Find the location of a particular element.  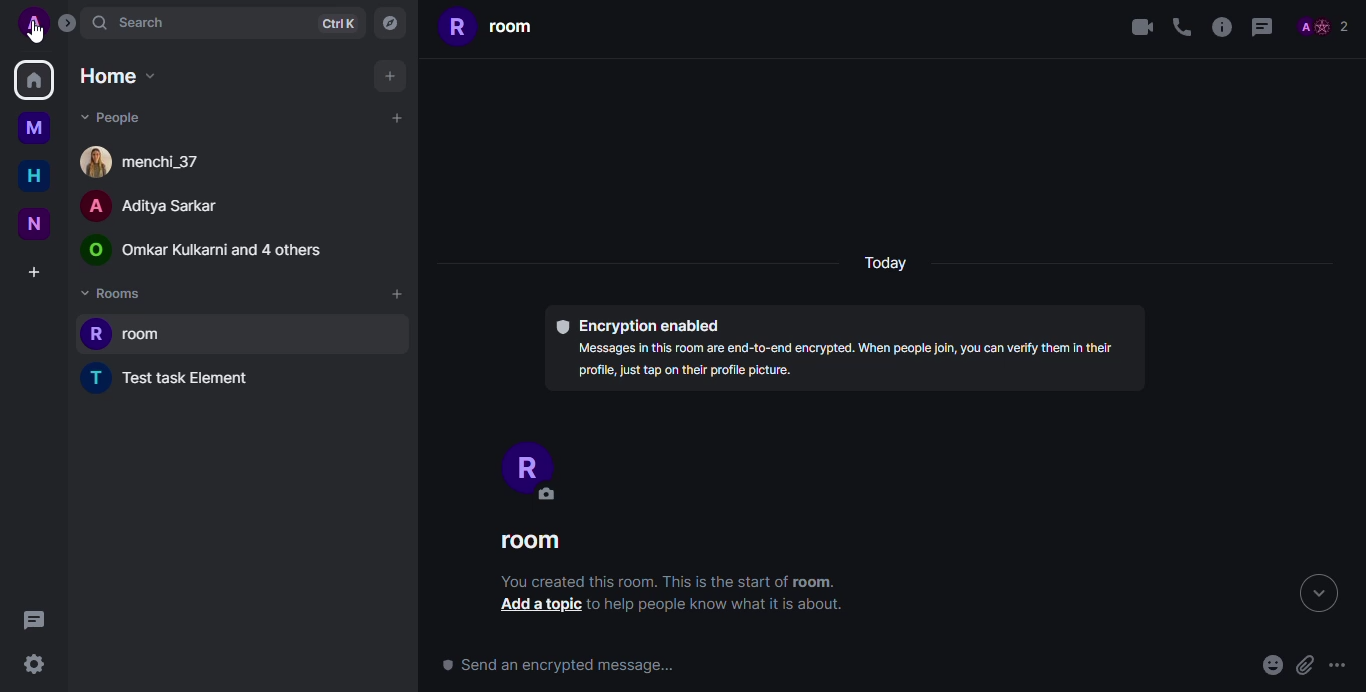

threads is located at coordinates (33, 619).